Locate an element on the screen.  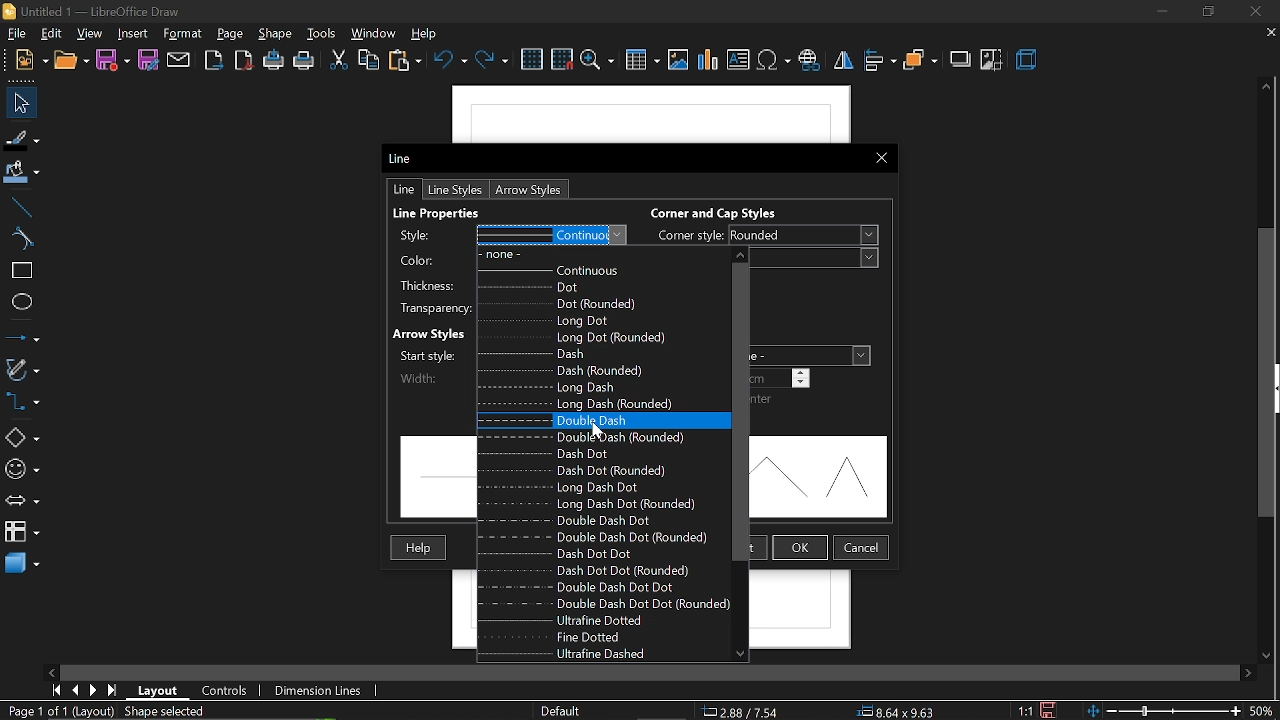
Dash dot dot is located at coordinates (608, 554).